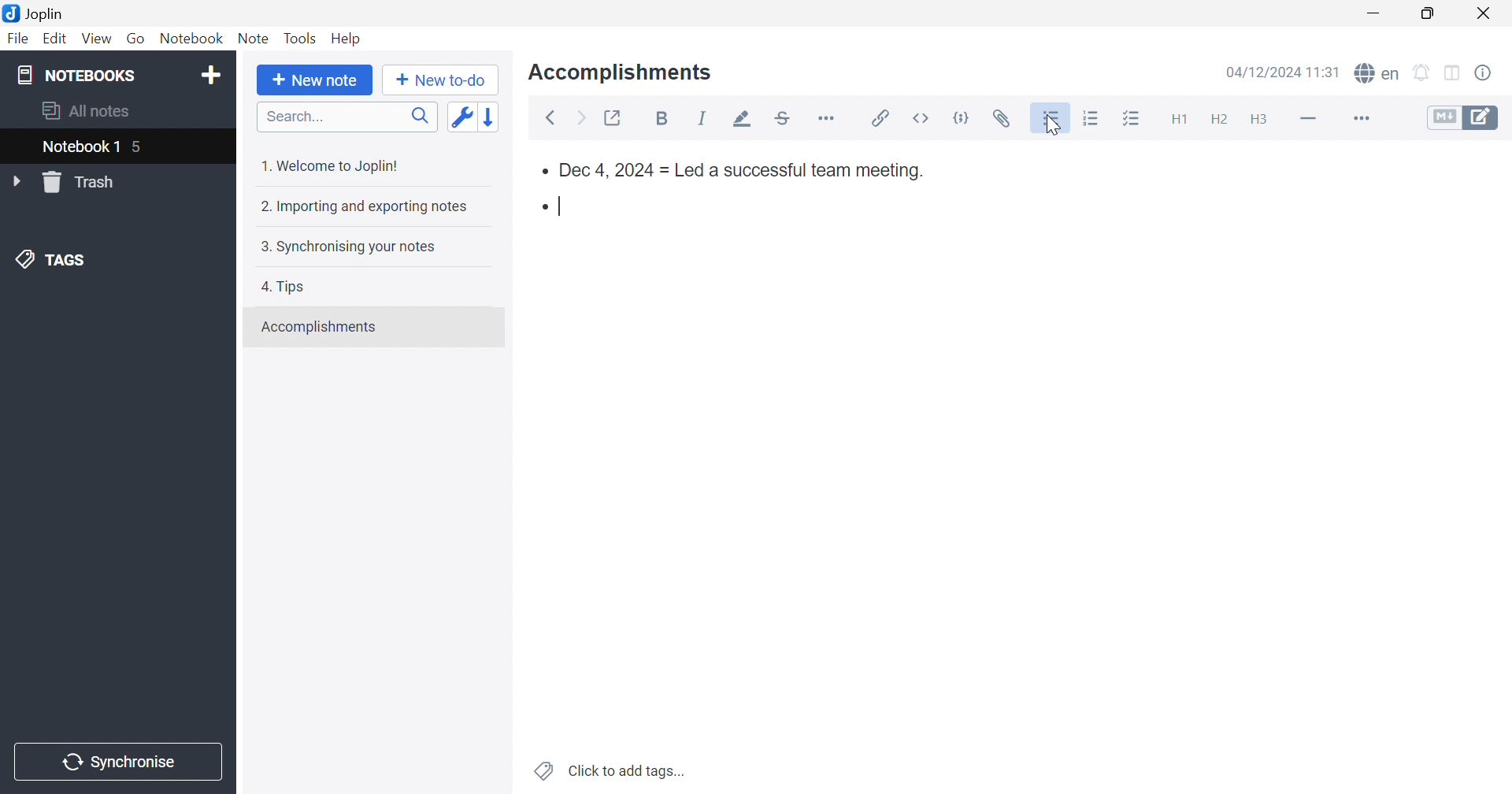 Image resolution: width=1512 pixels, height=794 pixels. What do you see at coordinates (1004, 118) in the screenshot?
I see `Attach file` at bounding box center [1004, 118].